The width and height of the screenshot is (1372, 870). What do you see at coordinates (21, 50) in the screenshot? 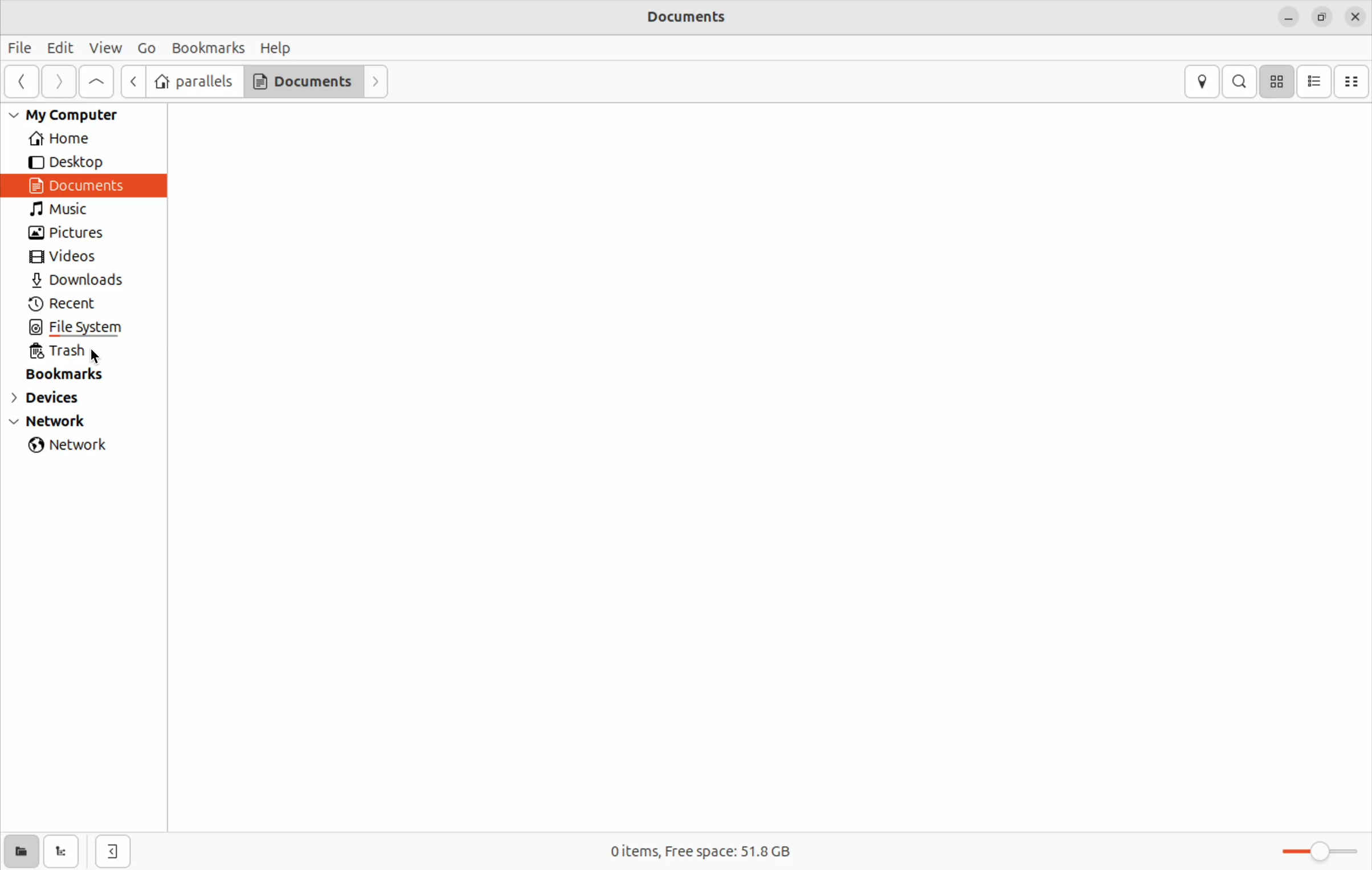
I see `File` at bounding box center [21, 50].